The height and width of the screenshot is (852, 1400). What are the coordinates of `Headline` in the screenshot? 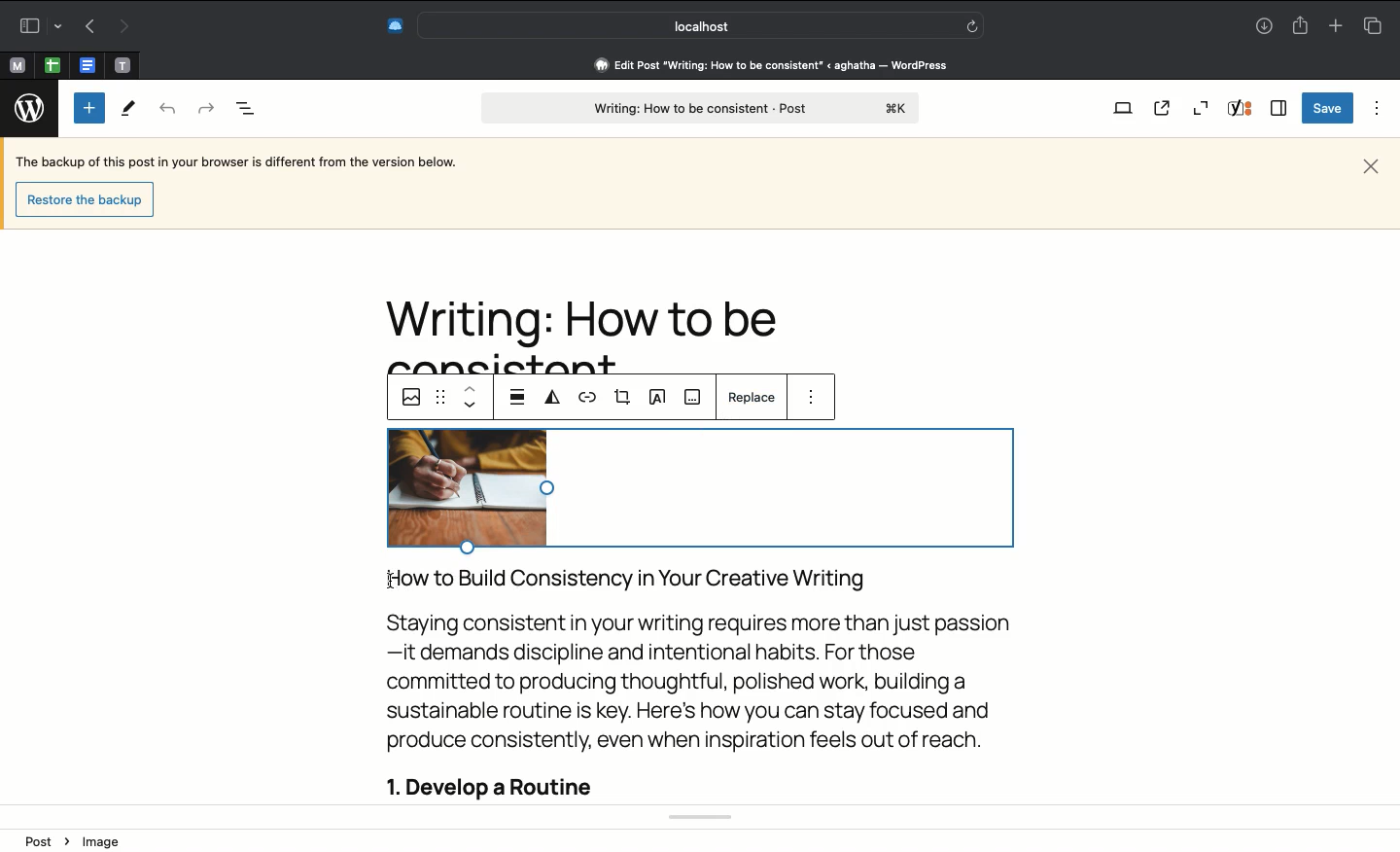 It's located at (592, 333).